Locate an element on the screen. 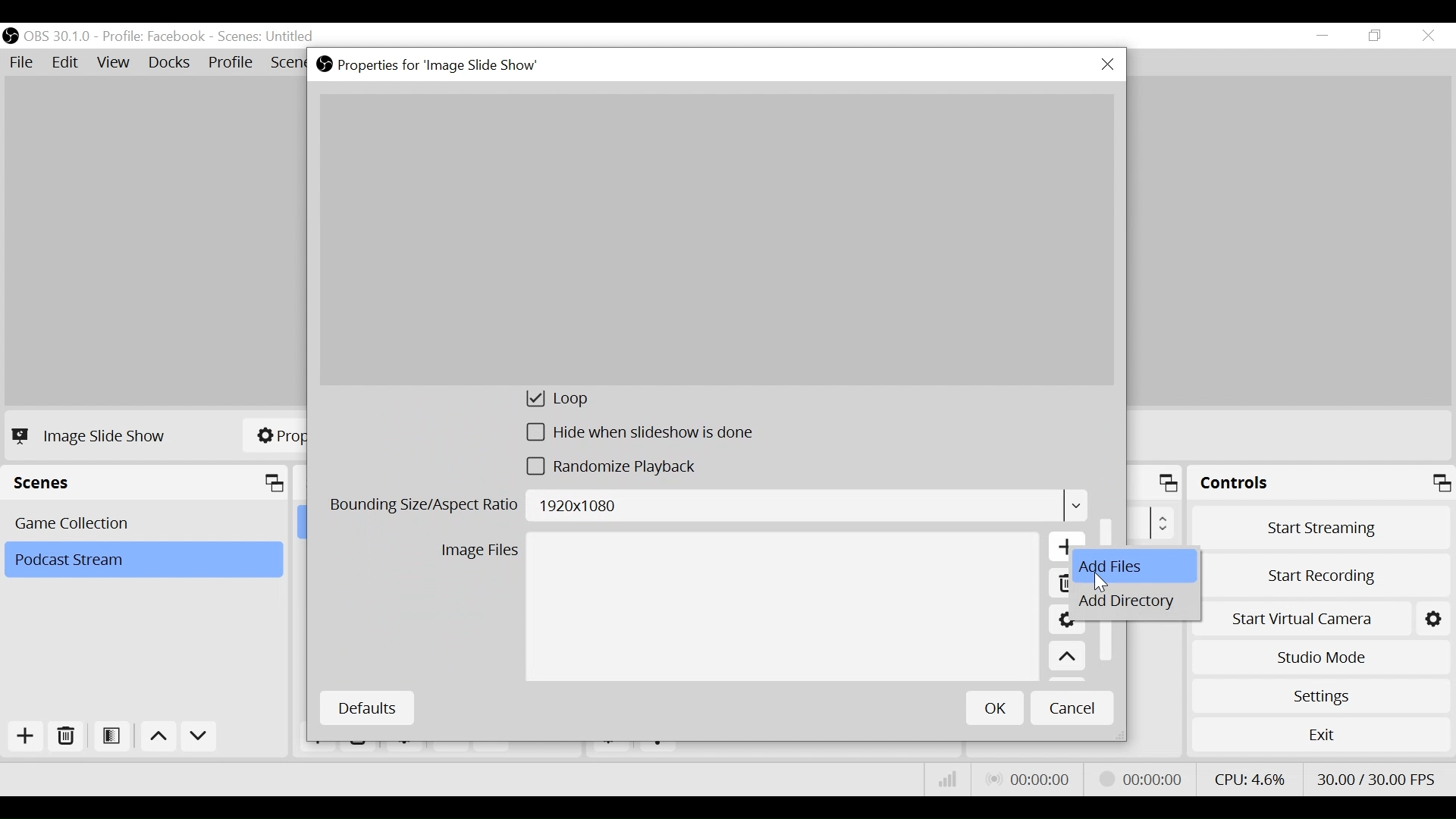 The height and width of the screenshot is (819, 1456). OBS Version is located at coordinates (60, 36).